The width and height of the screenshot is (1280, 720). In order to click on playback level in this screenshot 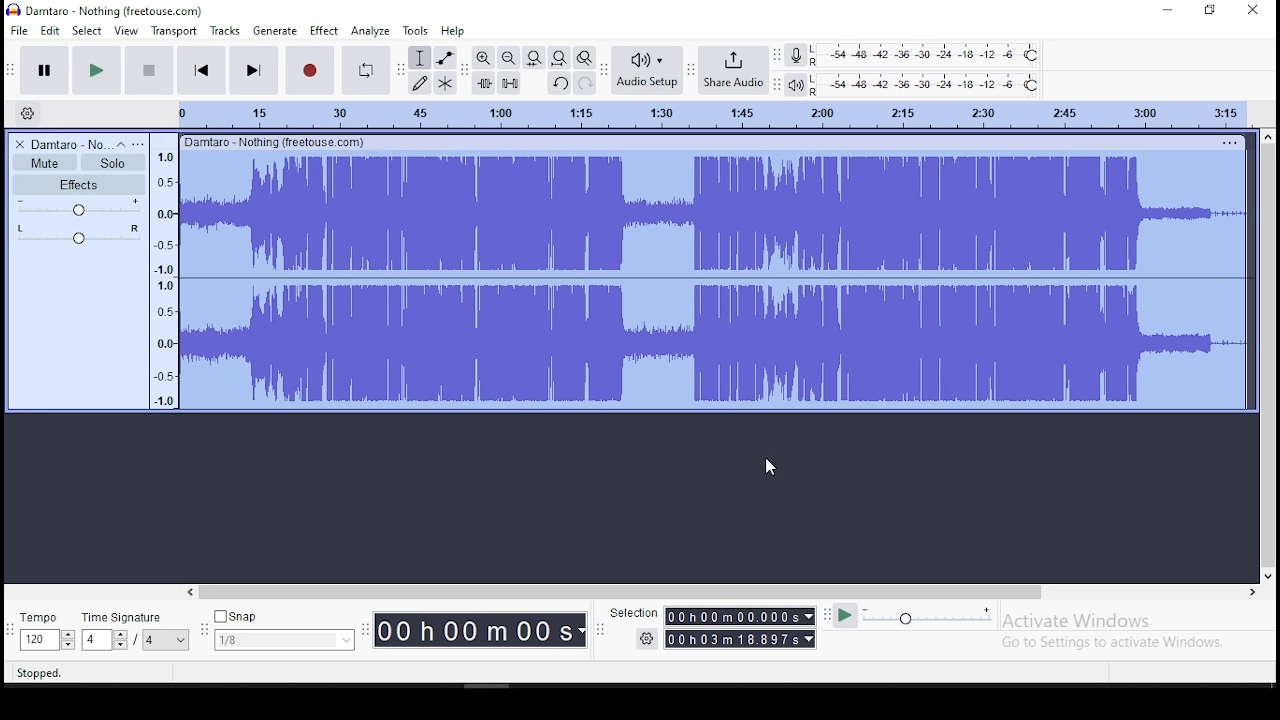, I will do `click(927, 84)`.